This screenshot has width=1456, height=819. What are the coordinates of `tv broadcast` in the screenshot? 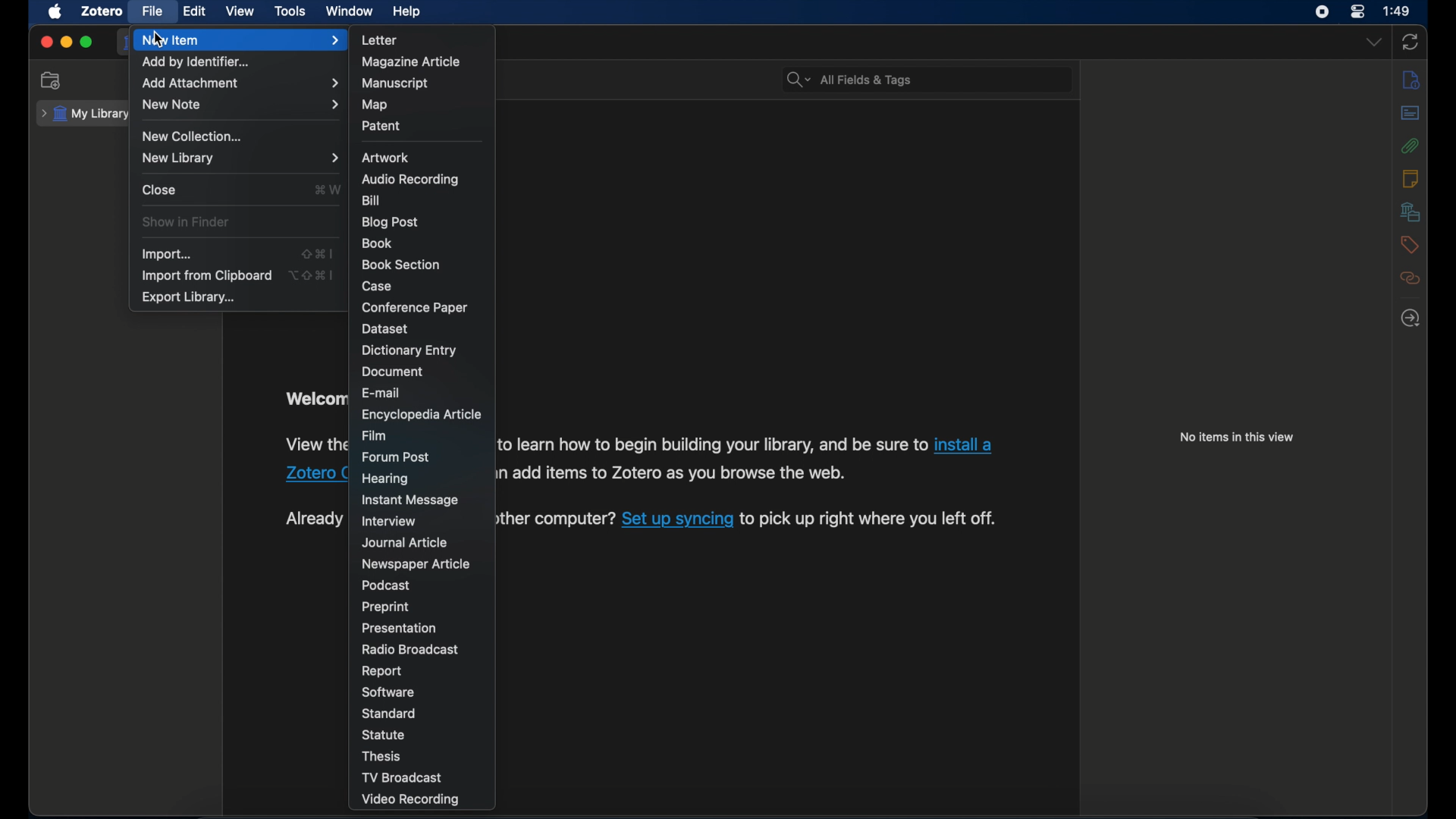 It's located at (405, 777).